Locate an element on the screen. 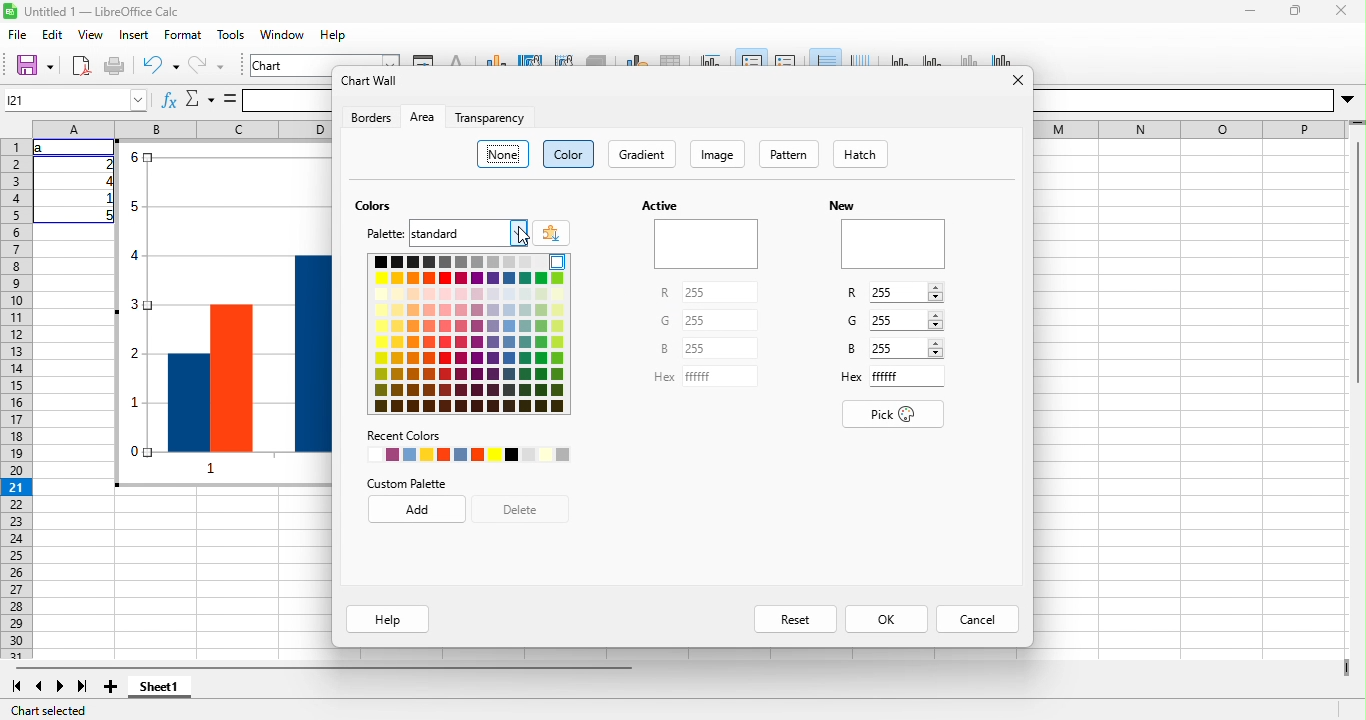 The height and width of the screenshot is (720, 1366). transparency is located at coordinates (490, 117).